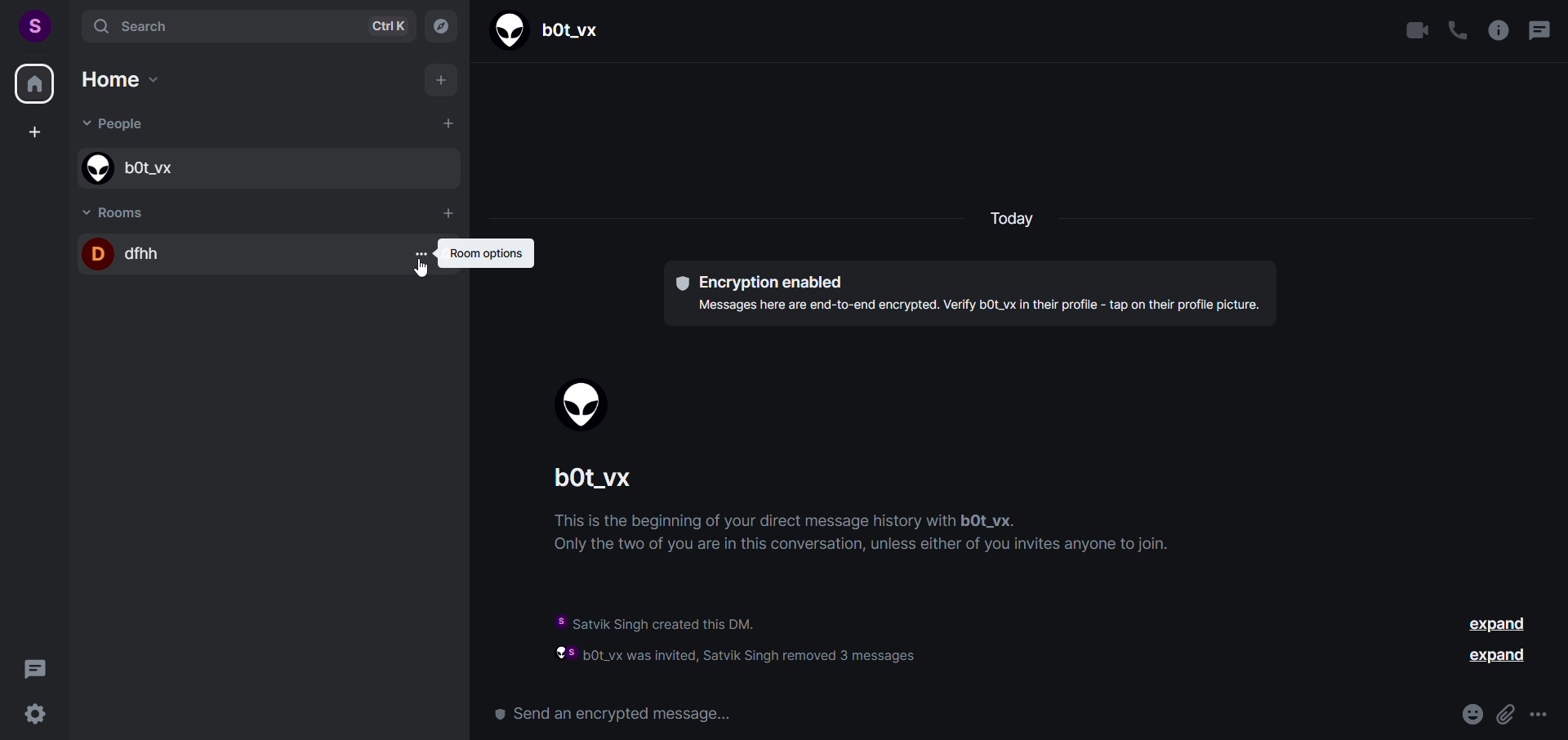 The image size is (1568, 740). I want to click on today, so click(1010, 220).